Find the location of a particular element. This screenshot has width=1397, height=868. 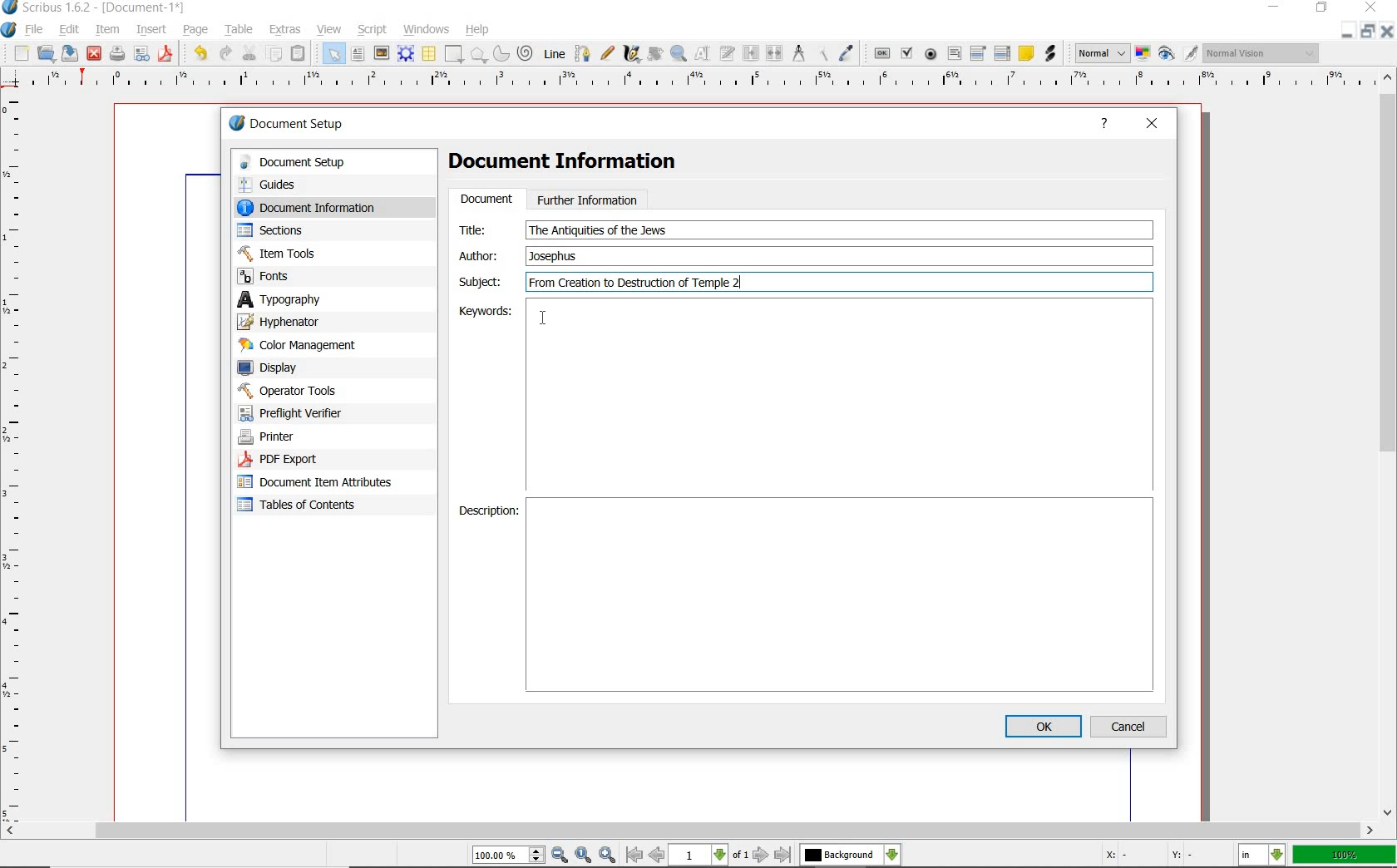

copy is located at coordinates (274, 53).